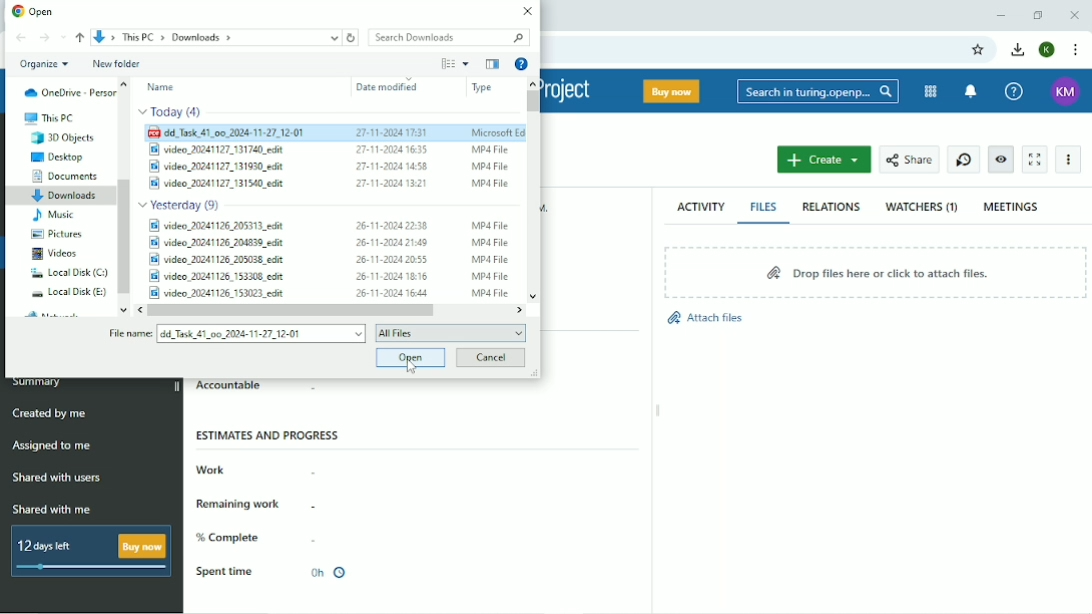 This screenshot has width=1092, height=614. I want to click on Customize and control google chrome, so click(1078, 50).